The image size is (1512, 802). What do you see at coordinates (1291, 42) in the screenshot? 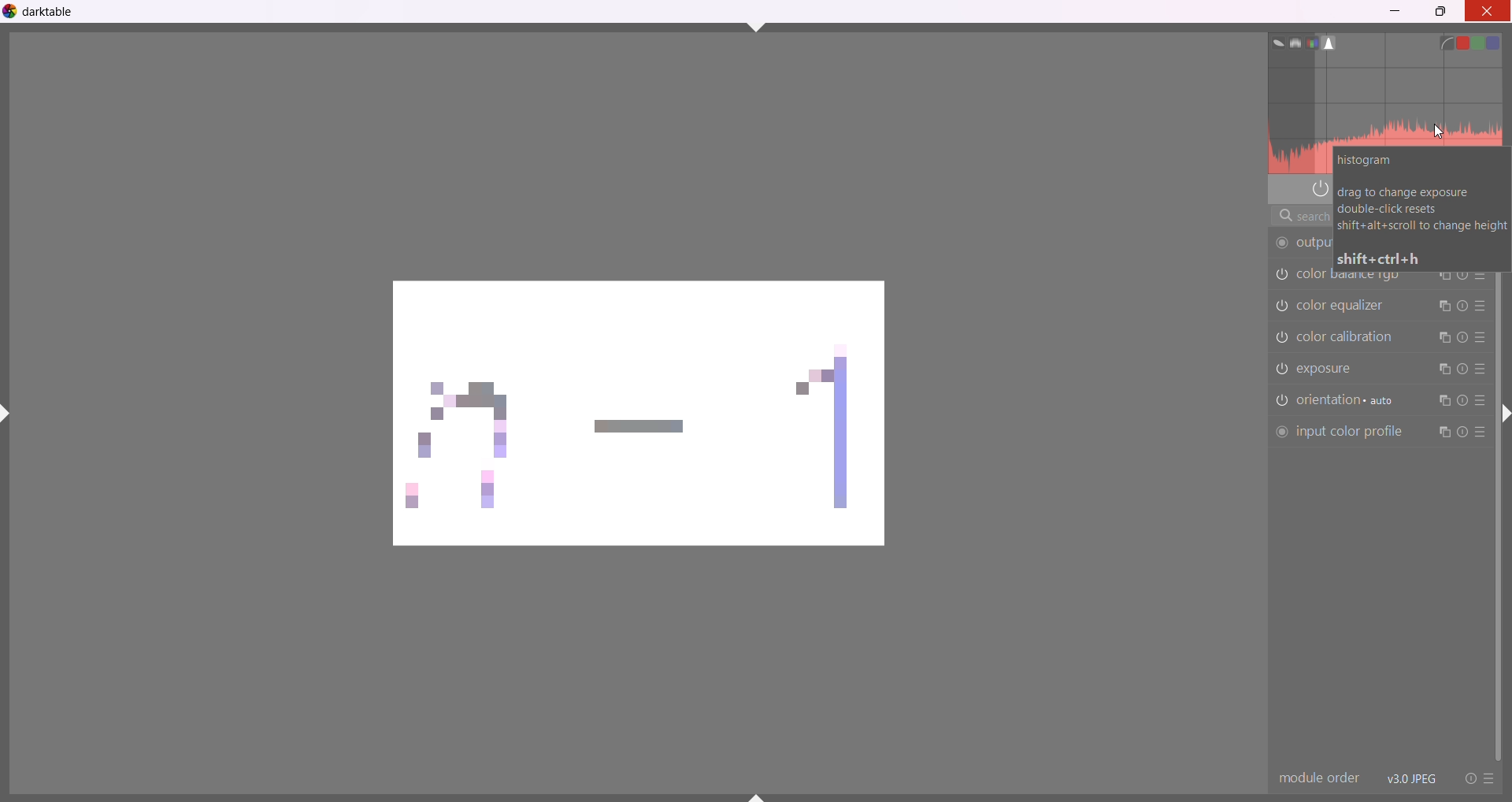
I see `waveform` at bounding box center [1291, 42].